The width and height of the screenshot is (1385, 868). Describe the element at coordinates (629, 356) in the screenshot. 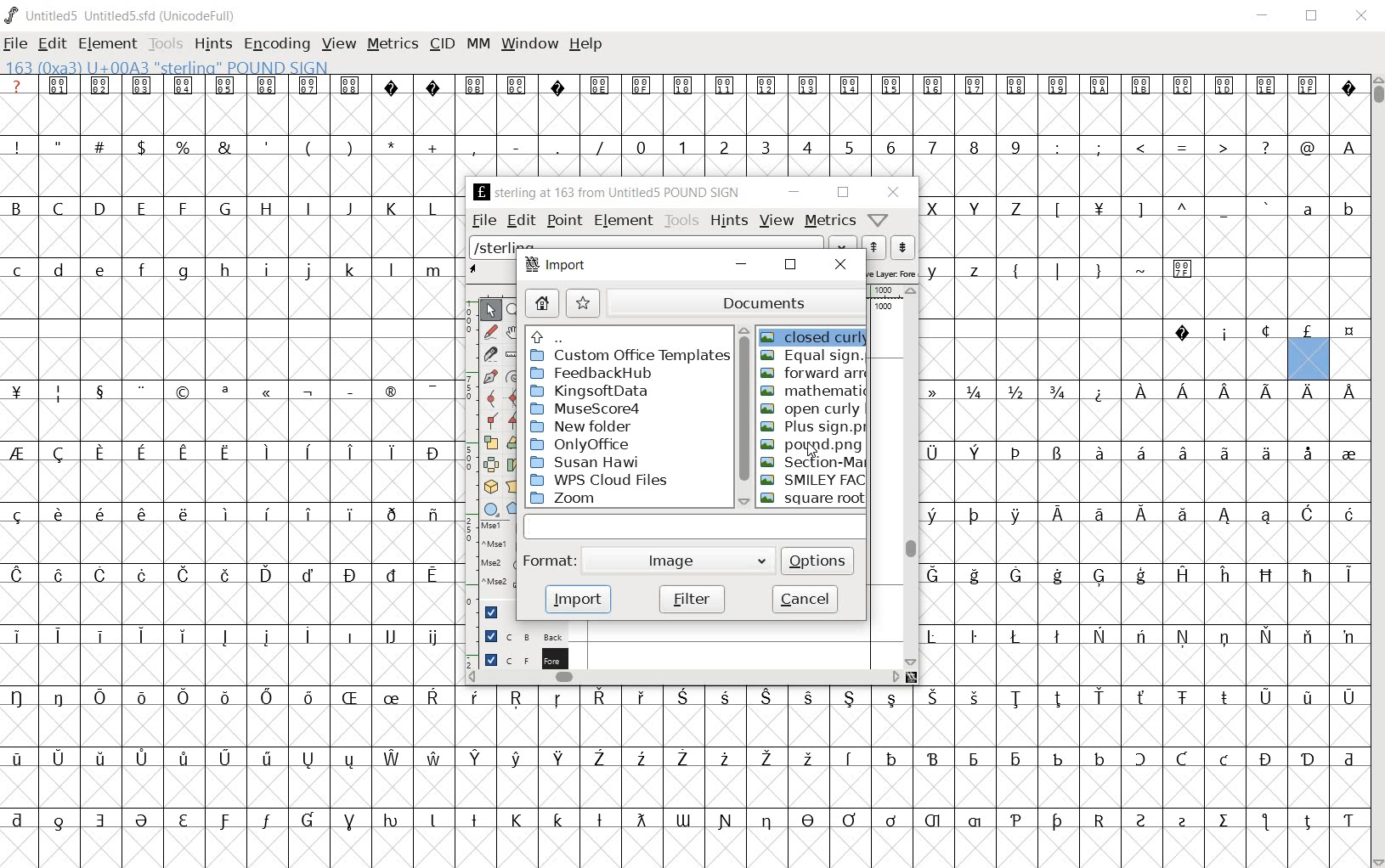

I see `Custom Office Templates` at that location.